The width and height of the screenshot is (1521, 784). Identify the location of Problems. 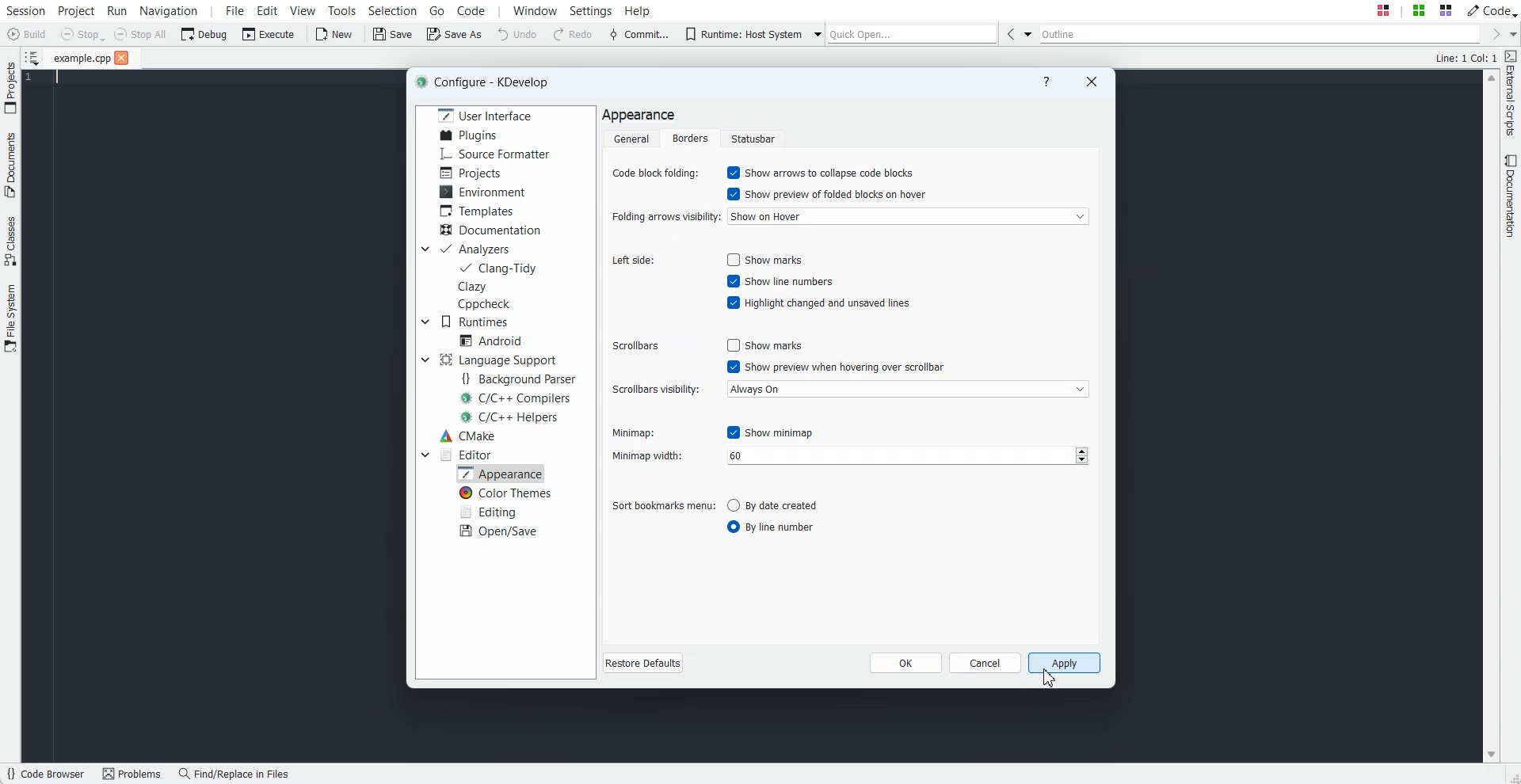
(135, 774).